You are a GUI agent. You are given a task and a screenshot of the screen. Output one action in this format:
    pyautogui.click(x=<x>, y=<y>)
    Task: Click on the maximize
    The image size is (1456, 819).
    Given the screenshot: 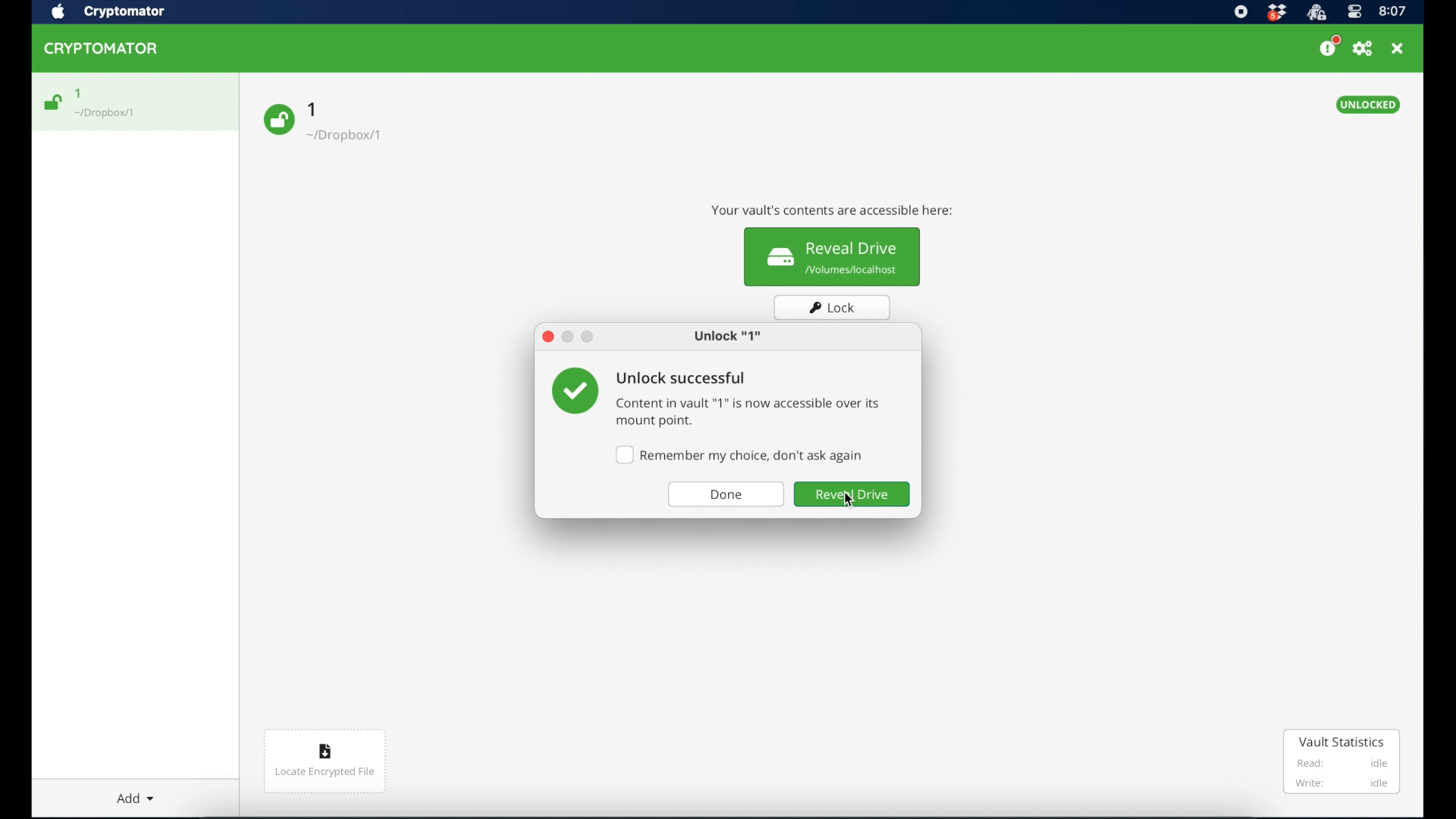 What is the action you would take?
    pyautogui.click(x=588, y=337)
    